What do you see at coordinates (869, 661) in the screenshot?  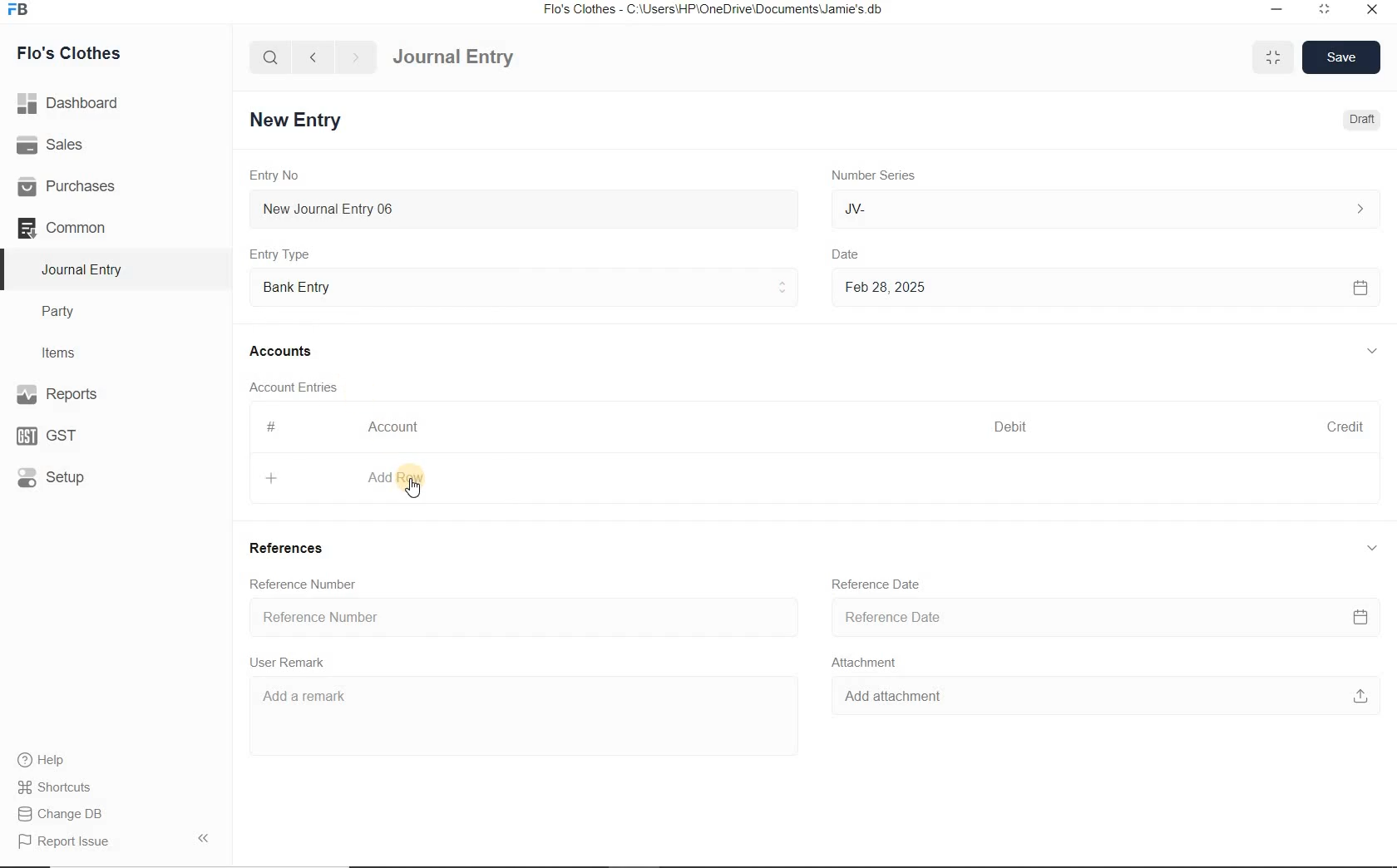 I see `Attachment` at bounding box center [869, 661].